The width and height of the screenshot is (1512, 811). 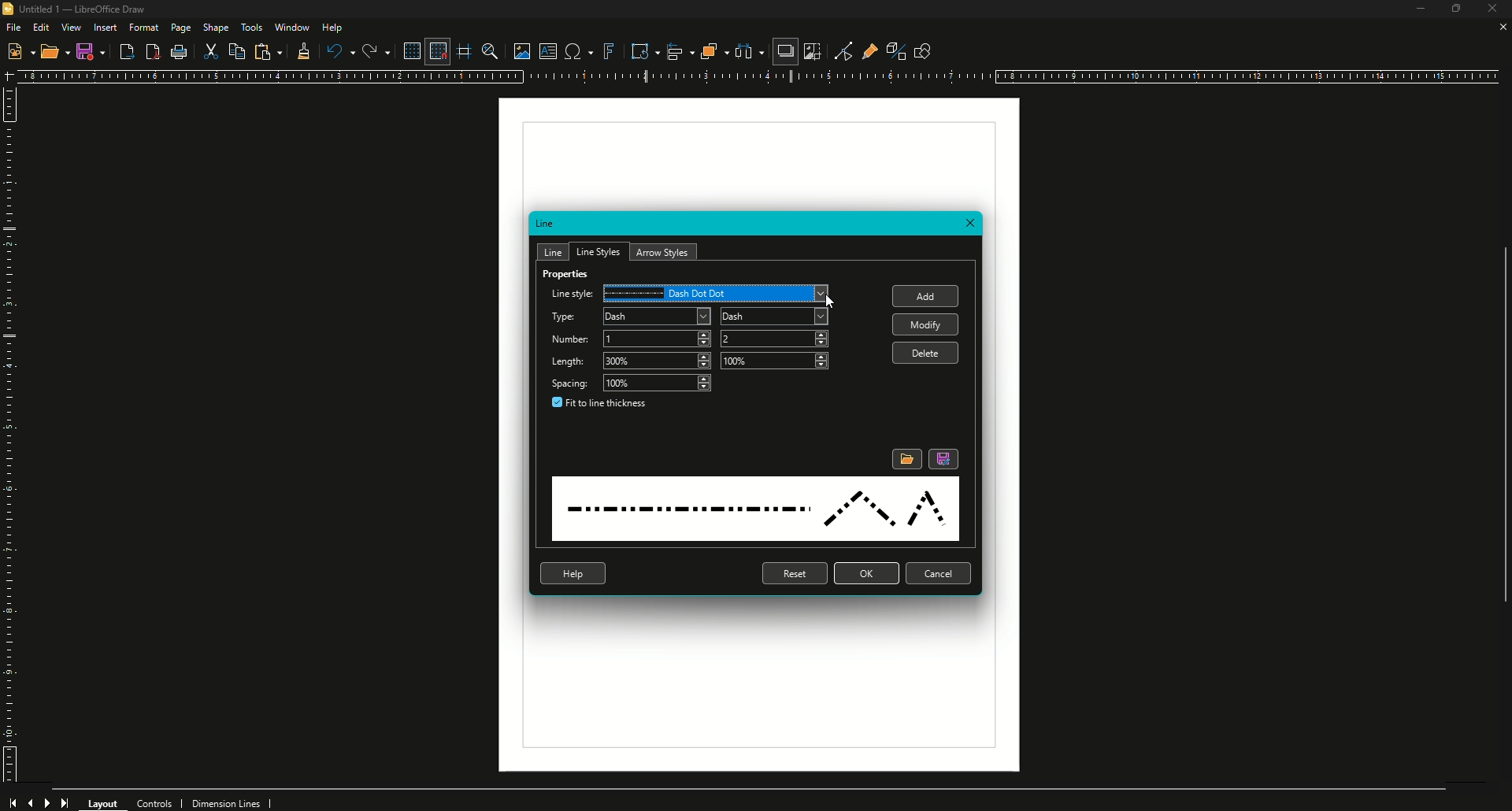 I want to click on Length, so click(x=573, y=363).